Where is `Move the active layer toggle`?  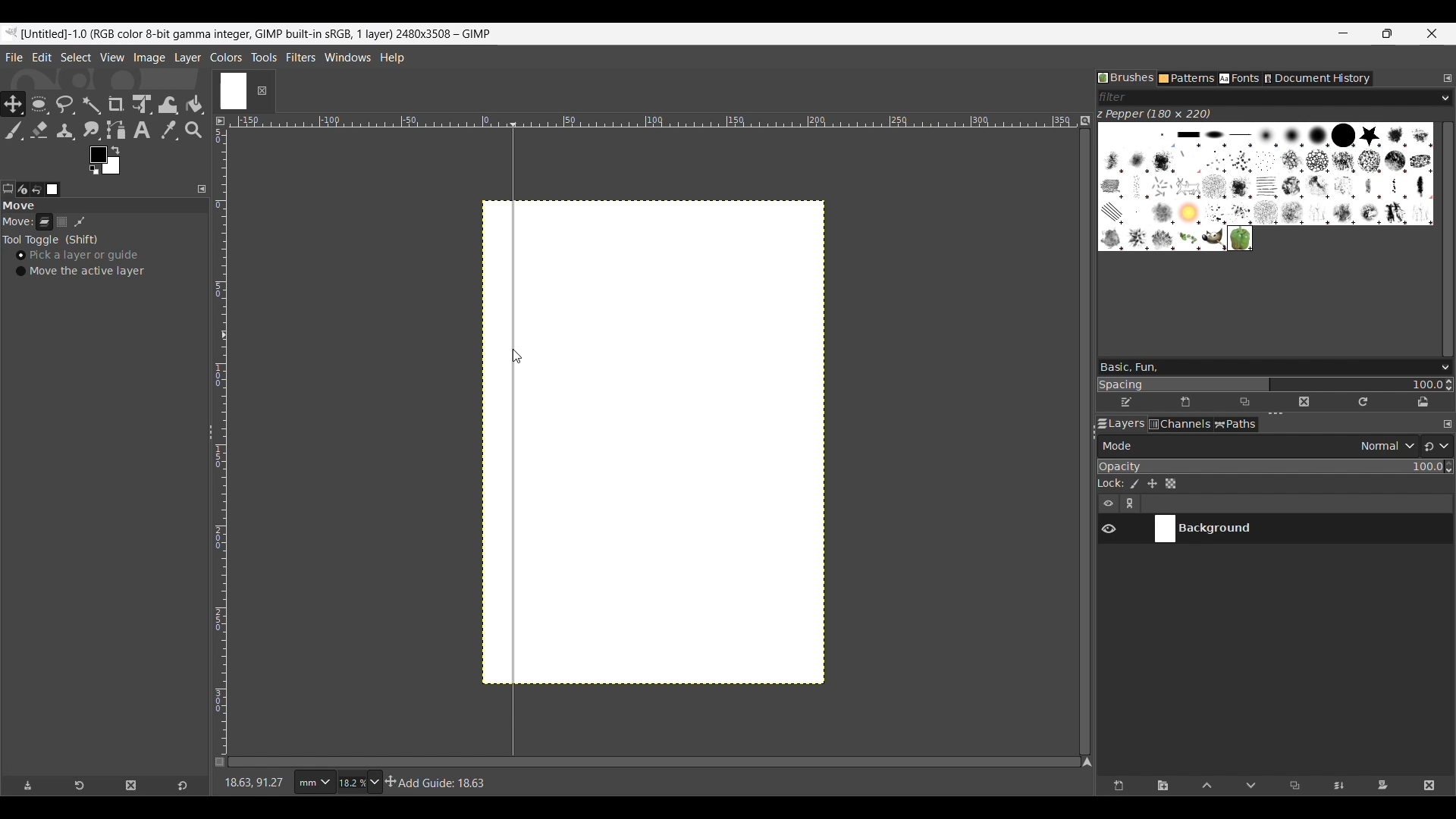 Move the active layer toggle is located at coordinates (80, 271).